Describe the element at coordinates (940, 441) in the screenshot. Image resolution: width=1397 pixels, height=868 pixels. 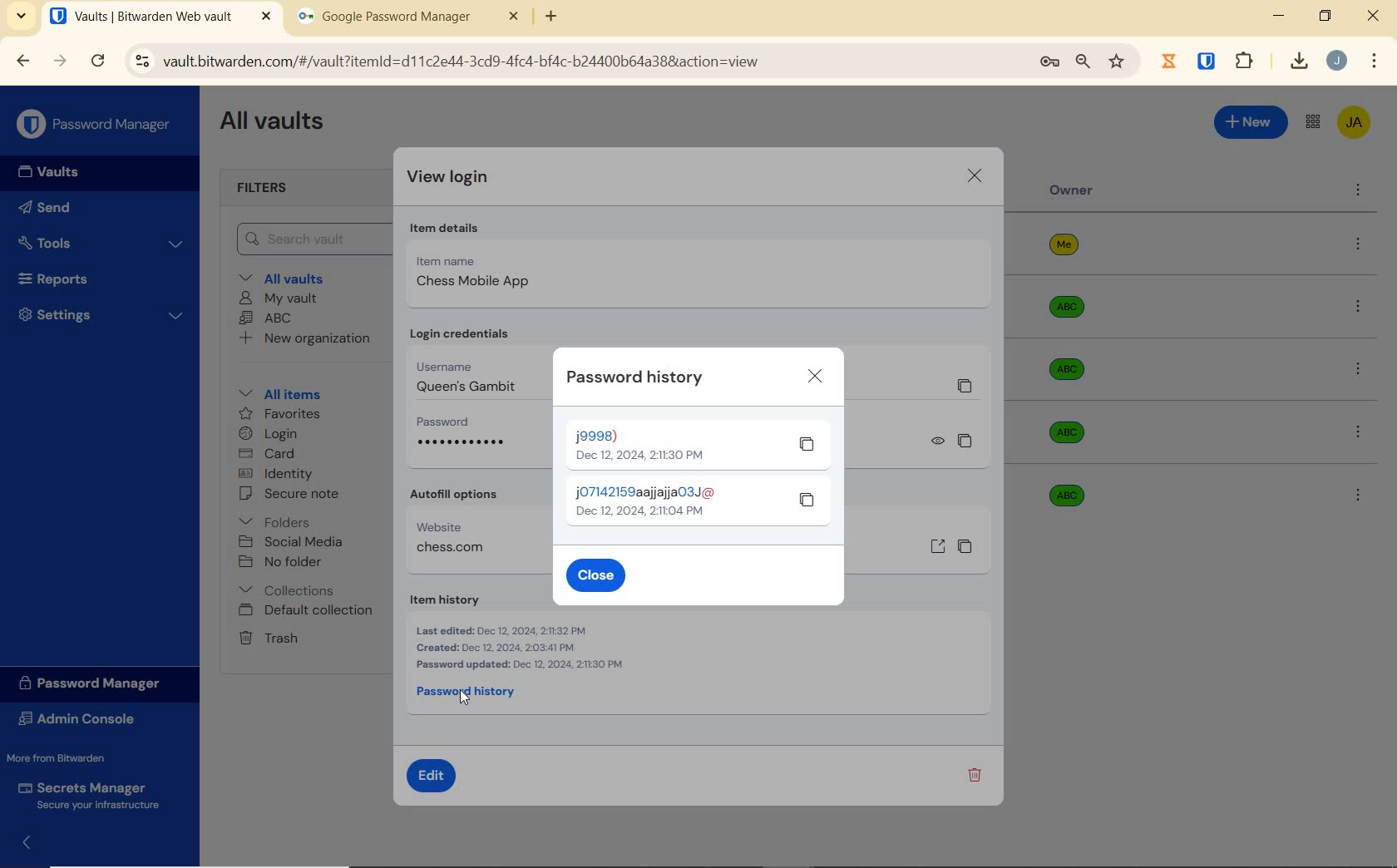
I see `view` at that location.